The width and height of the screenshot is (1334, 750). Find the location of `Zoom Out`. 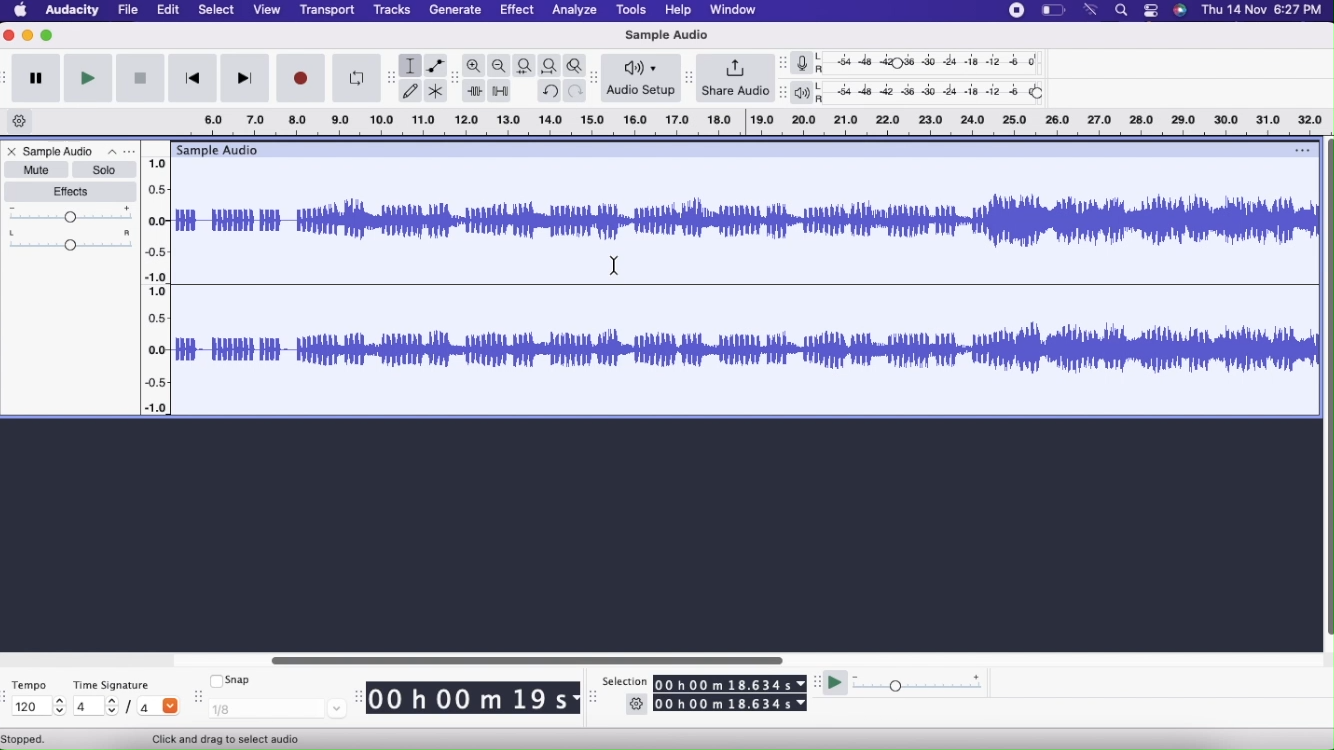

Zoom Out is located at coordinates (500, 65).